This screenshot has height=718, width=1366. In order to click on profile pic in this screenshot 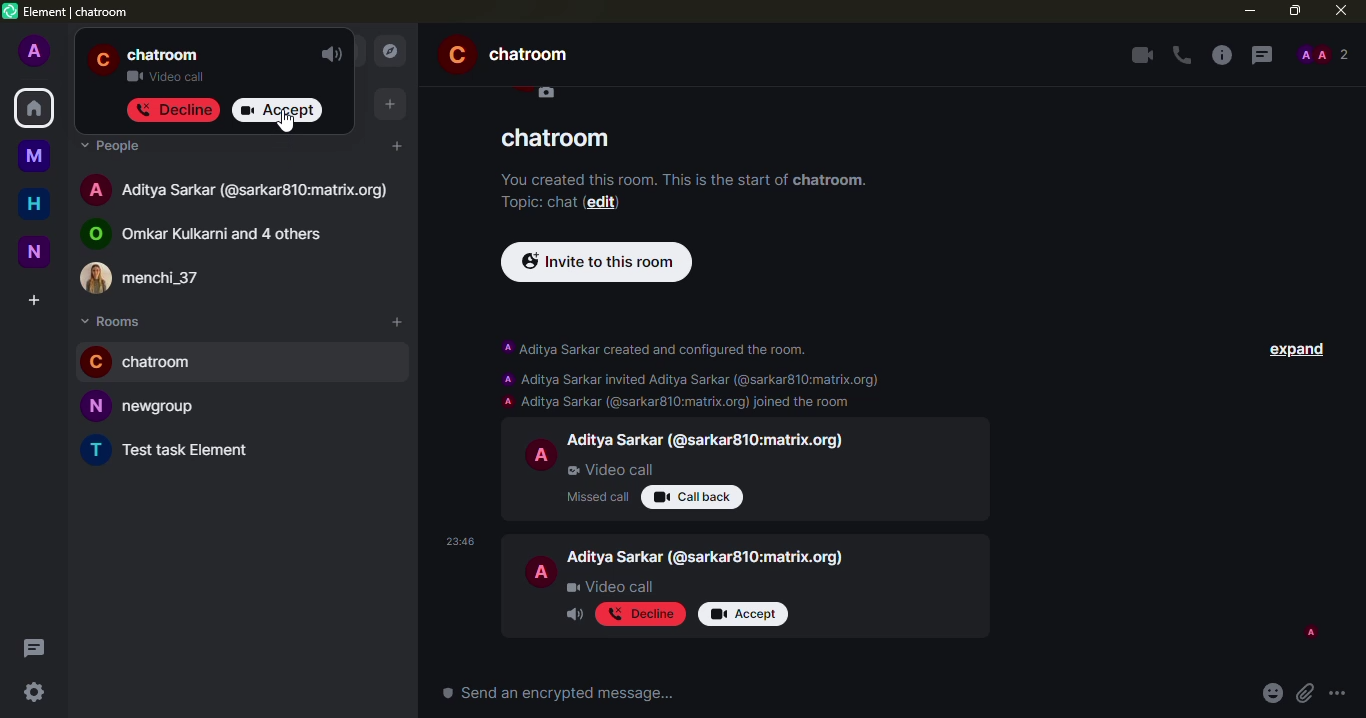, I will do `click(539, 573)`.